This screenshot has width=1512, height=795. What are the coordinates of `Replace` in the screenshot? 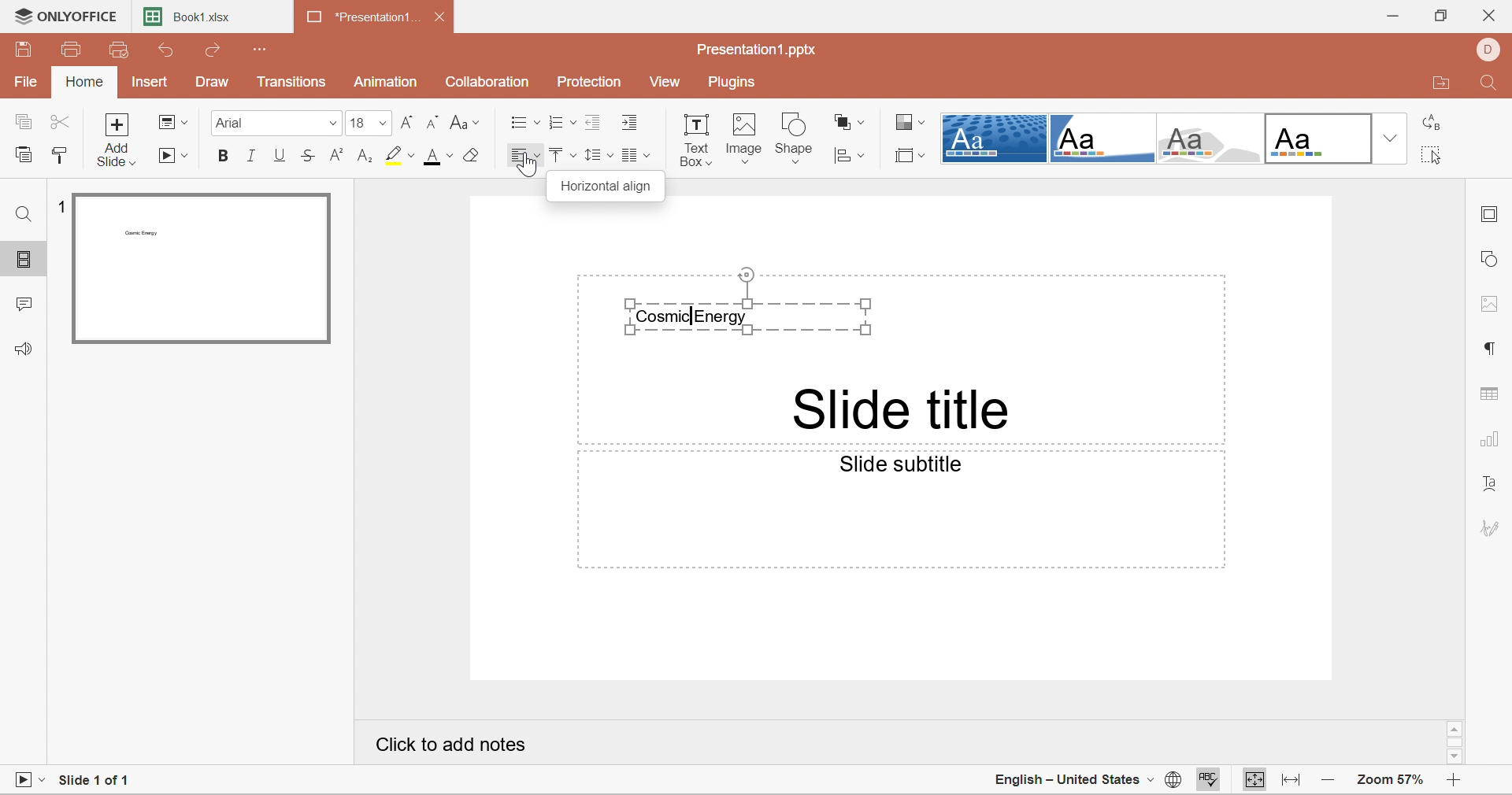 It's located at (1436, 122).